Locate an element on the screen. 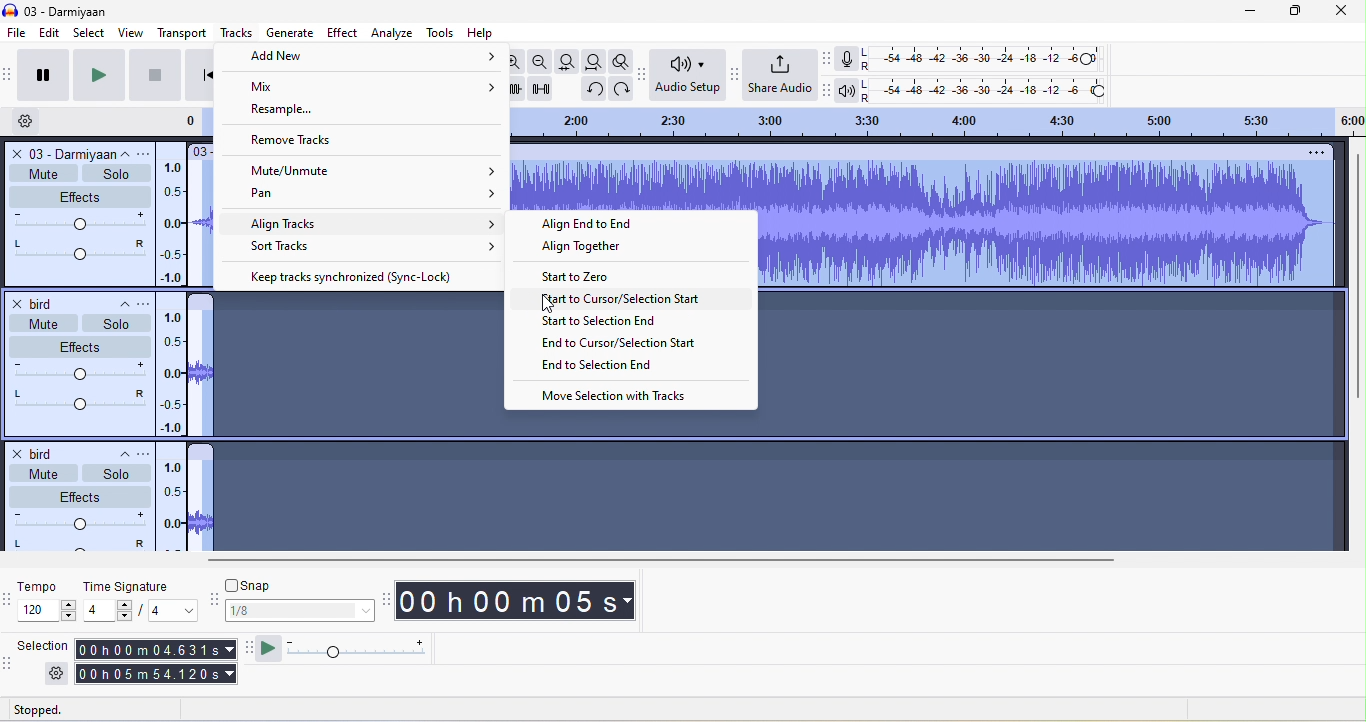 The height and width of the screenshot is (722, 1366). file is located at coordinates (18, 33).